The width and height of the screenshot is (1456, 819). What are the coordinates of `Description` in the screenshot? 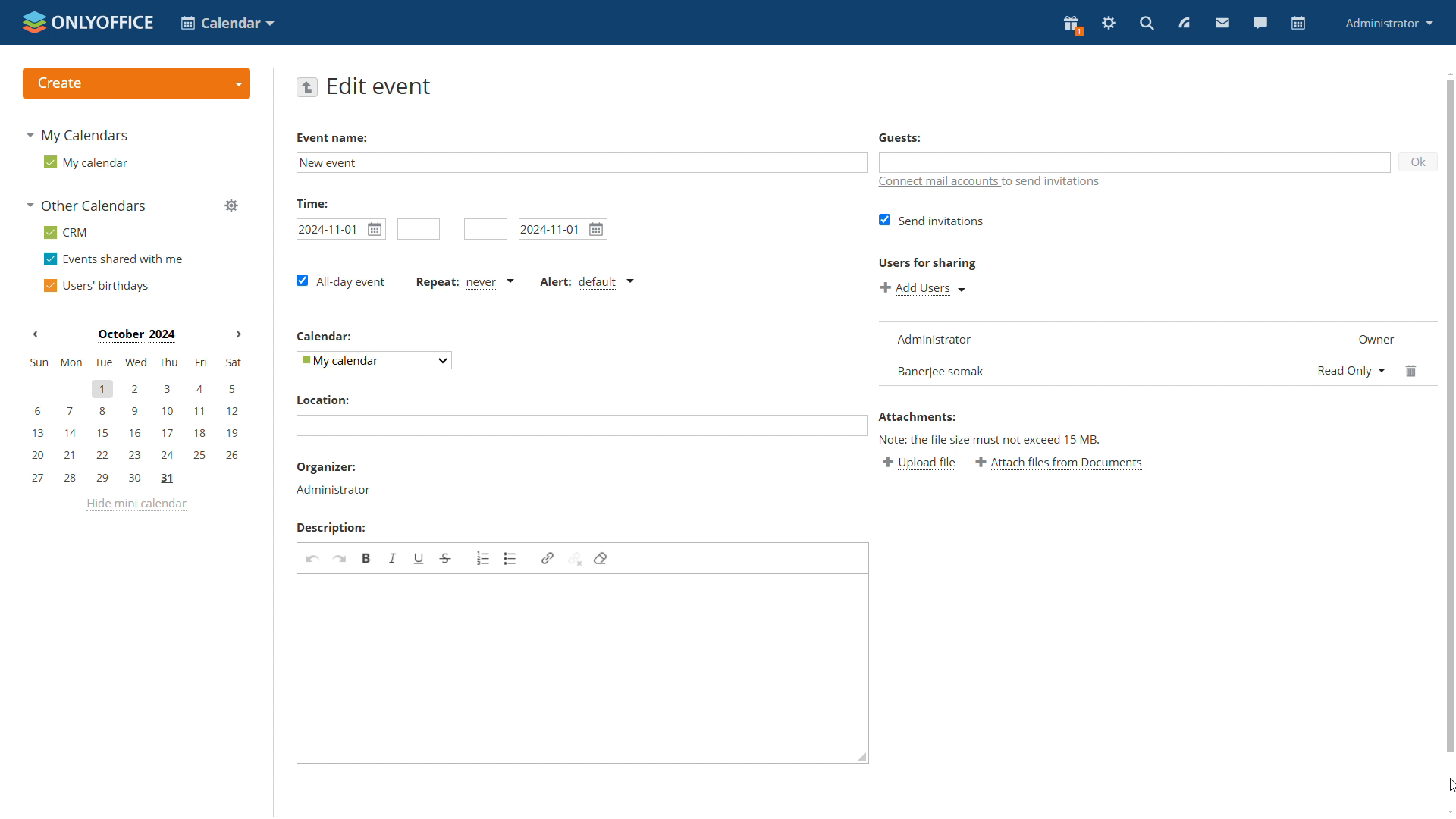 It's located at (330, 530).